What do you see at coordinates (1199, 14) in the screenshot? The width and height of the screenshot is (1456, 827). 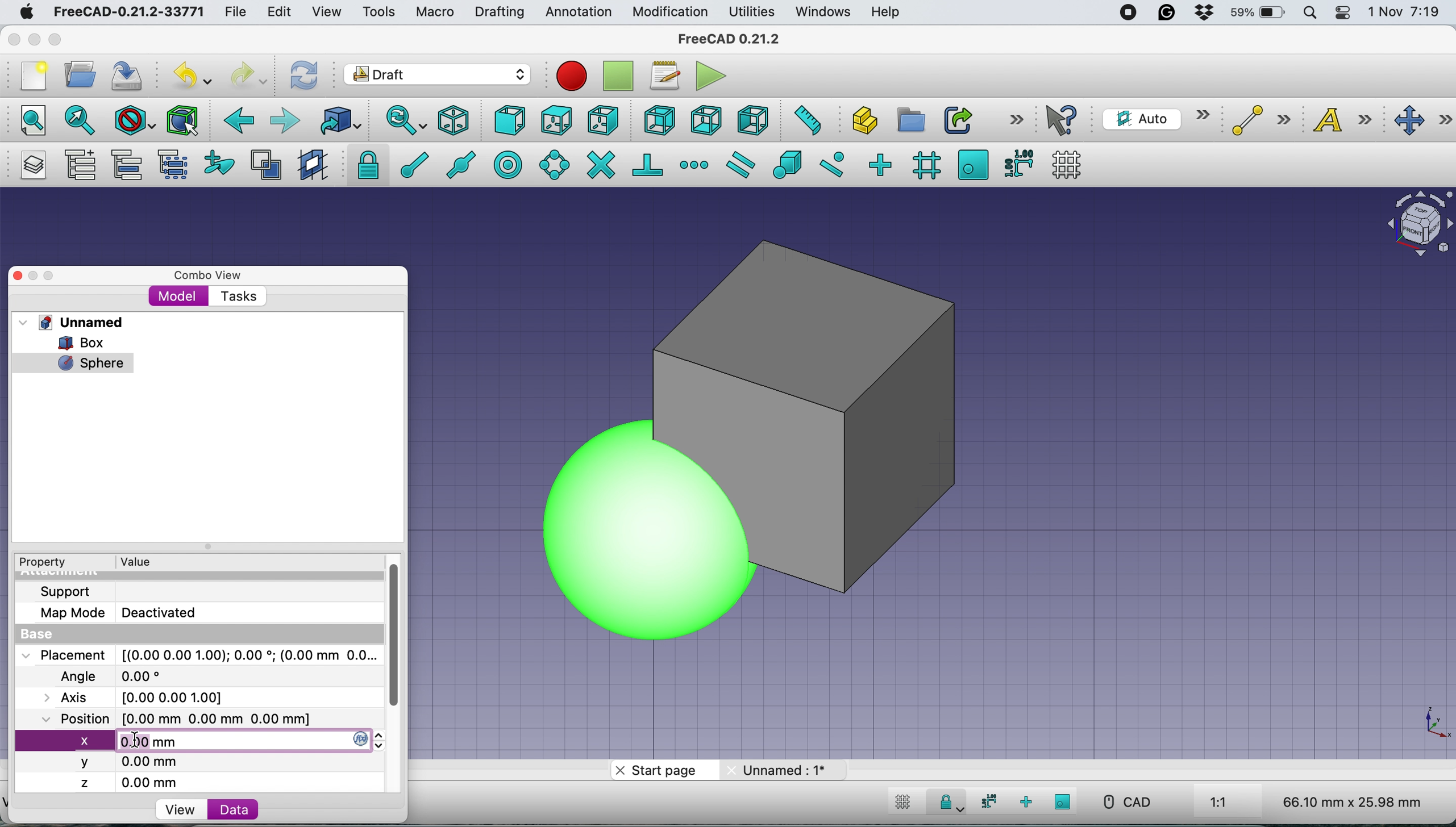 I see `dropbox` at bounding box center [1199, 14].